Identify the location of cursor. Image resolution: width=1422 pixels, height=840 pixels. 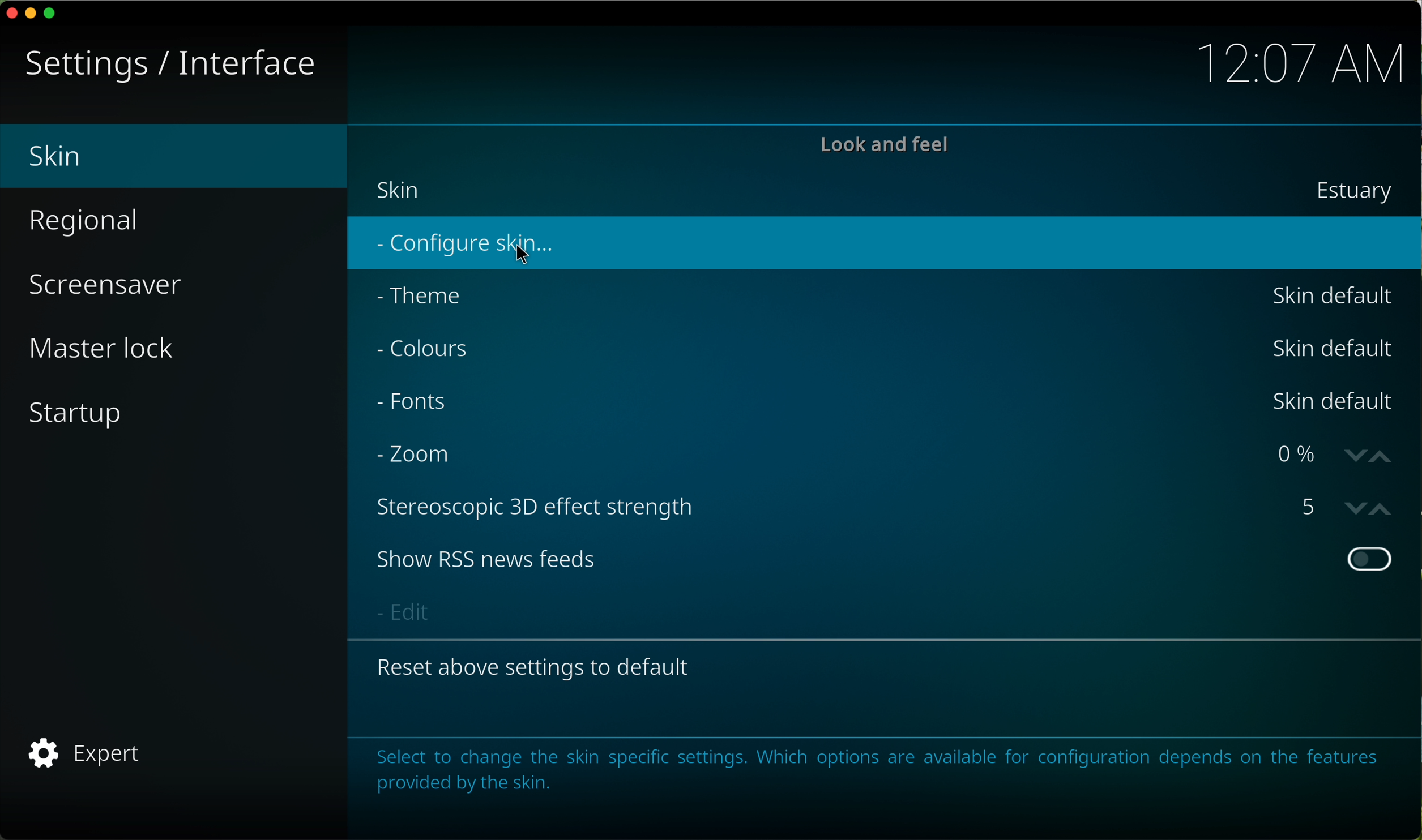
(523, 255).